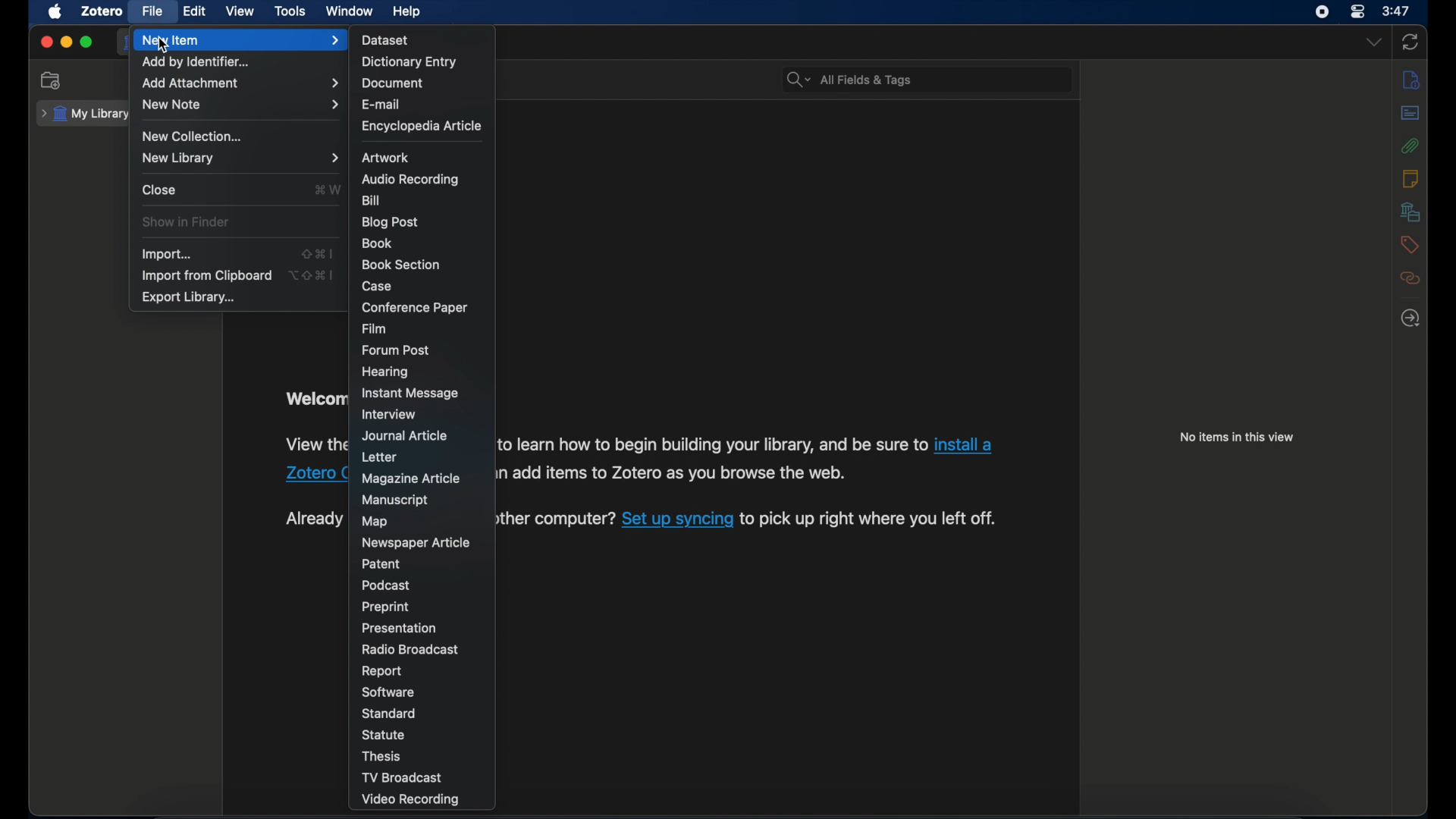 This screenshot has width=1456, height=819. What do you see at coordinates (381, 458) in the screenshot?
I see `letter` at bounding box center [381, 458].